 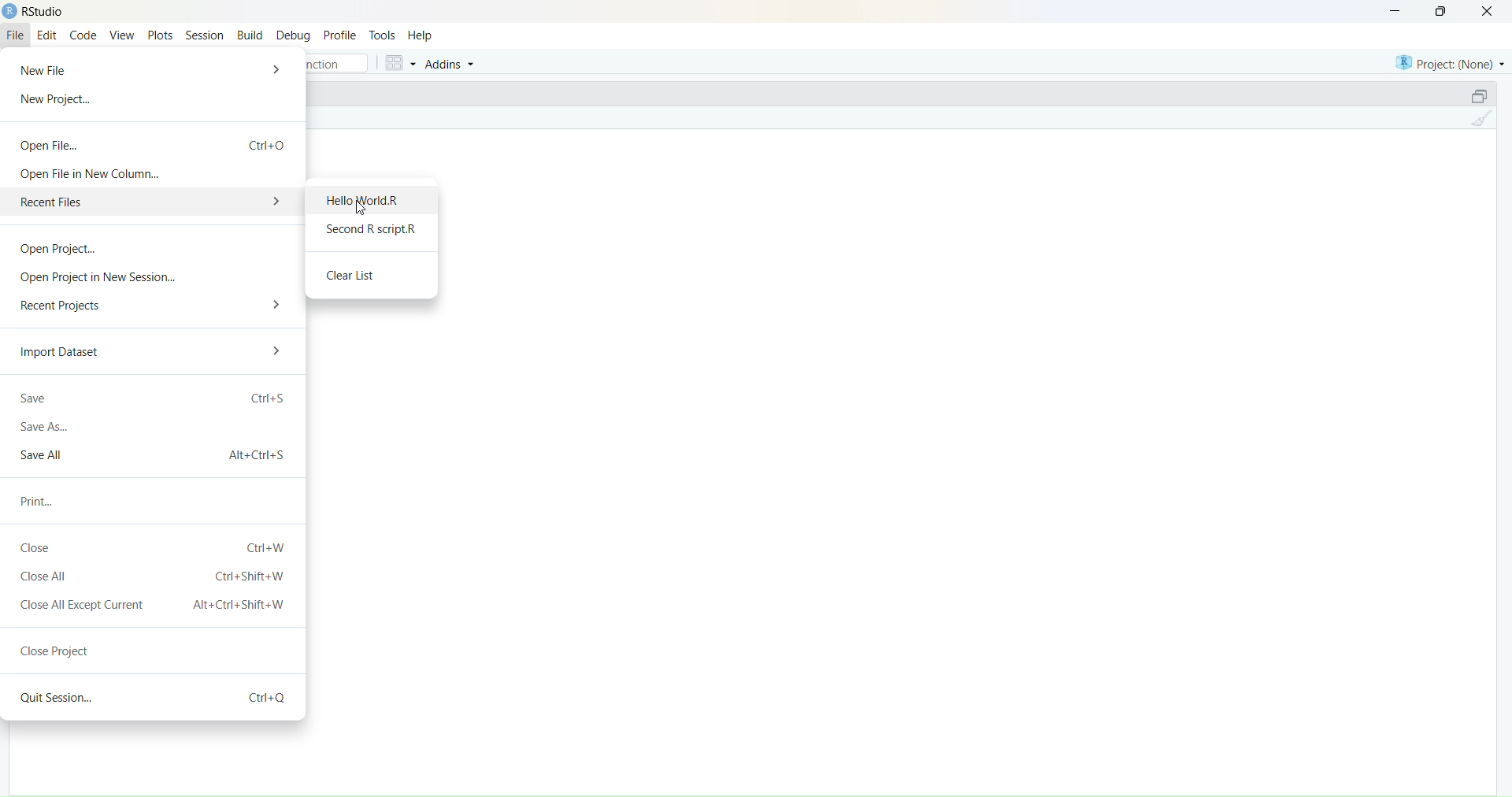 What do you see at coordinates (1488, 13) in the screenshot?
I see `Close` at bounding box center [1488, 13].